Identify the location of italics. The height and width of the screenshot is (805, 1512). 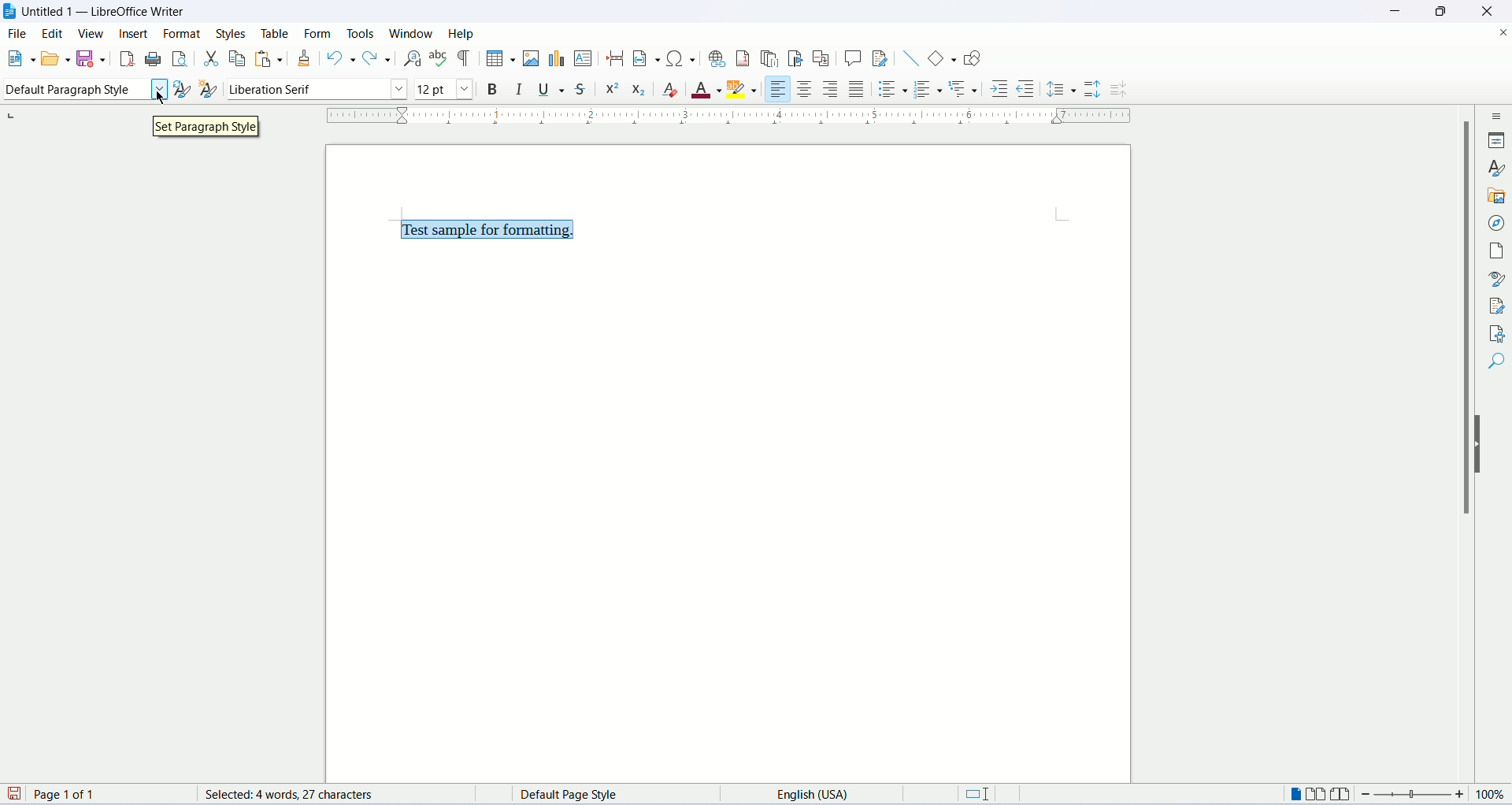
(518, 91).